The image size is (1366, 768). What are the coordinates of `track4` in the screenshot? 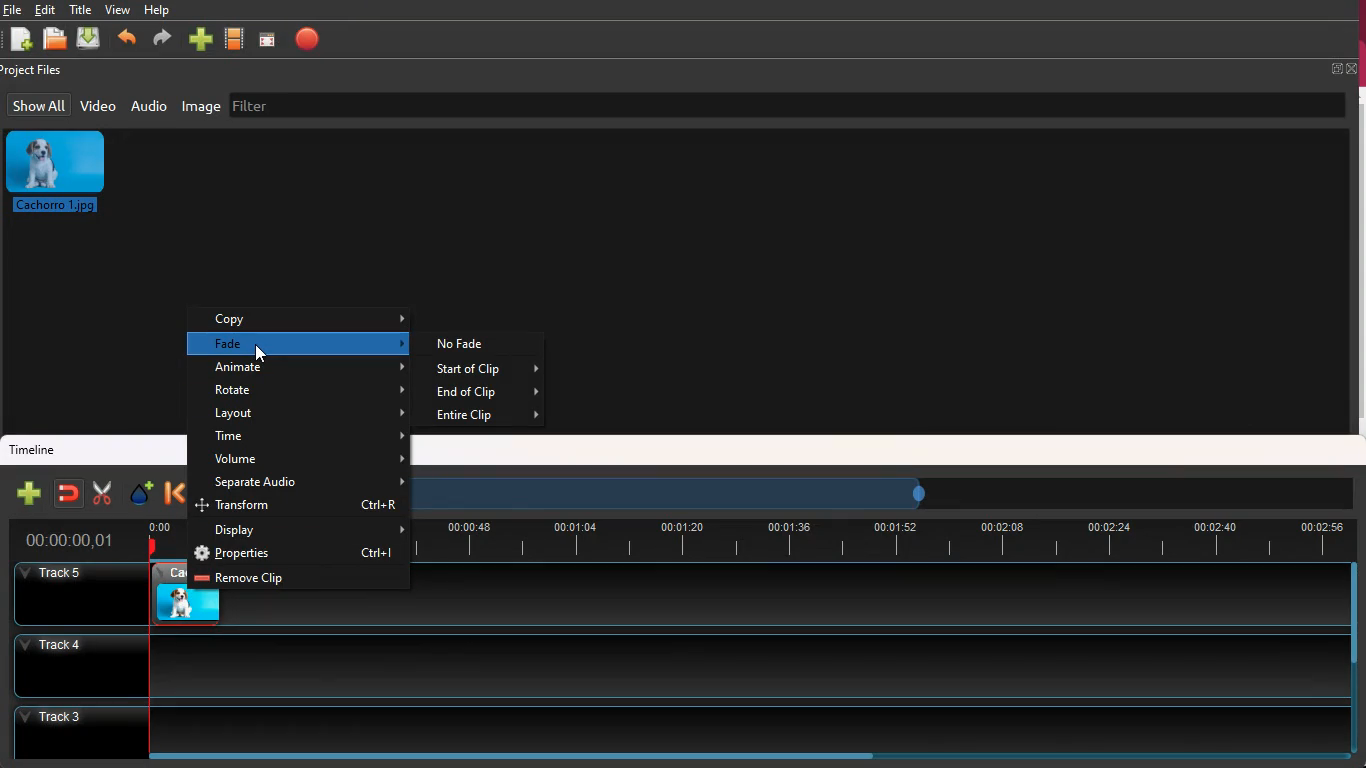 It's located at (668, 663).